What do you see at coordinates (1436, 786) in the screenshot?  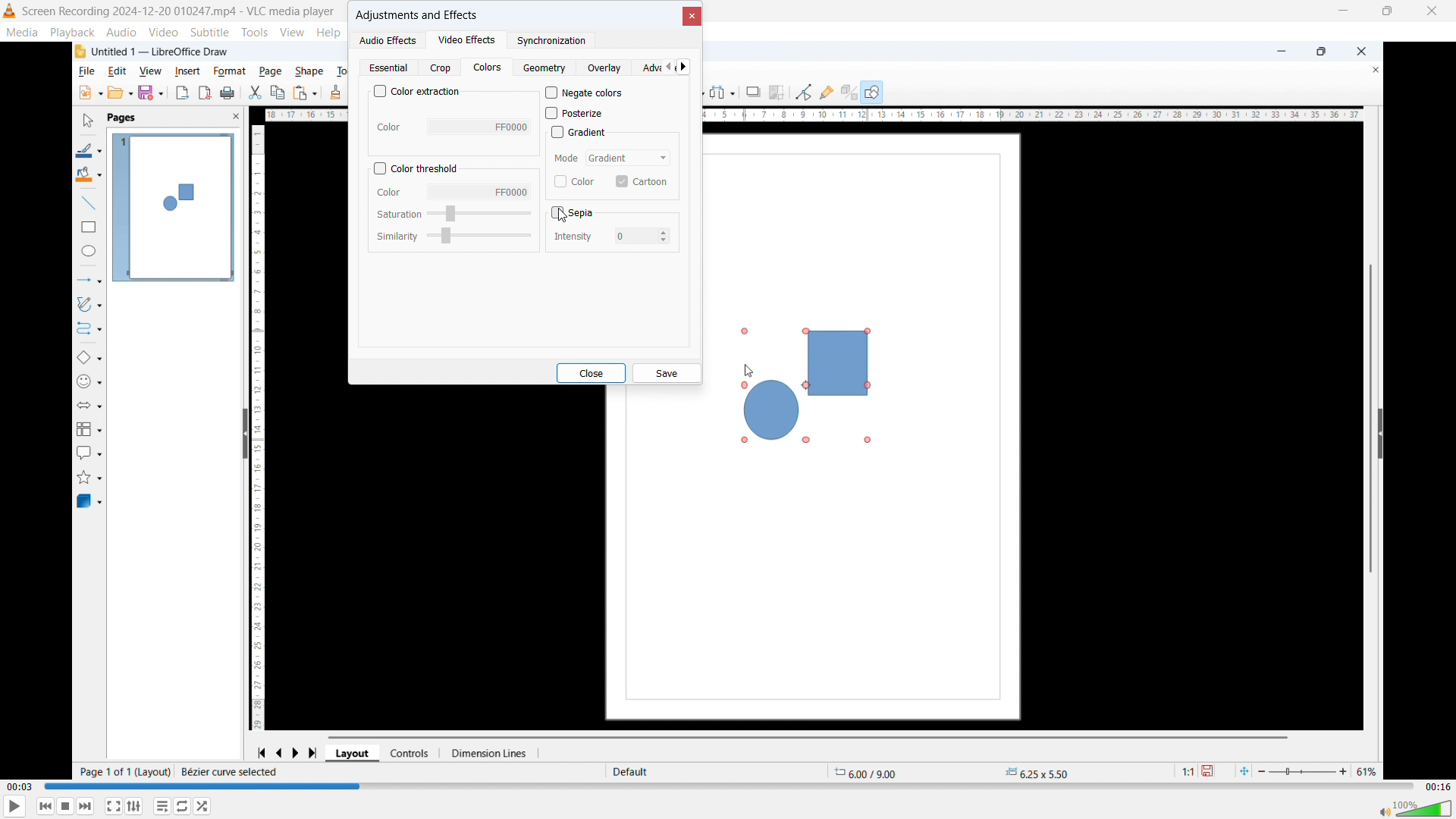 I see `Video duration ` at bounding box center [1436, 786].